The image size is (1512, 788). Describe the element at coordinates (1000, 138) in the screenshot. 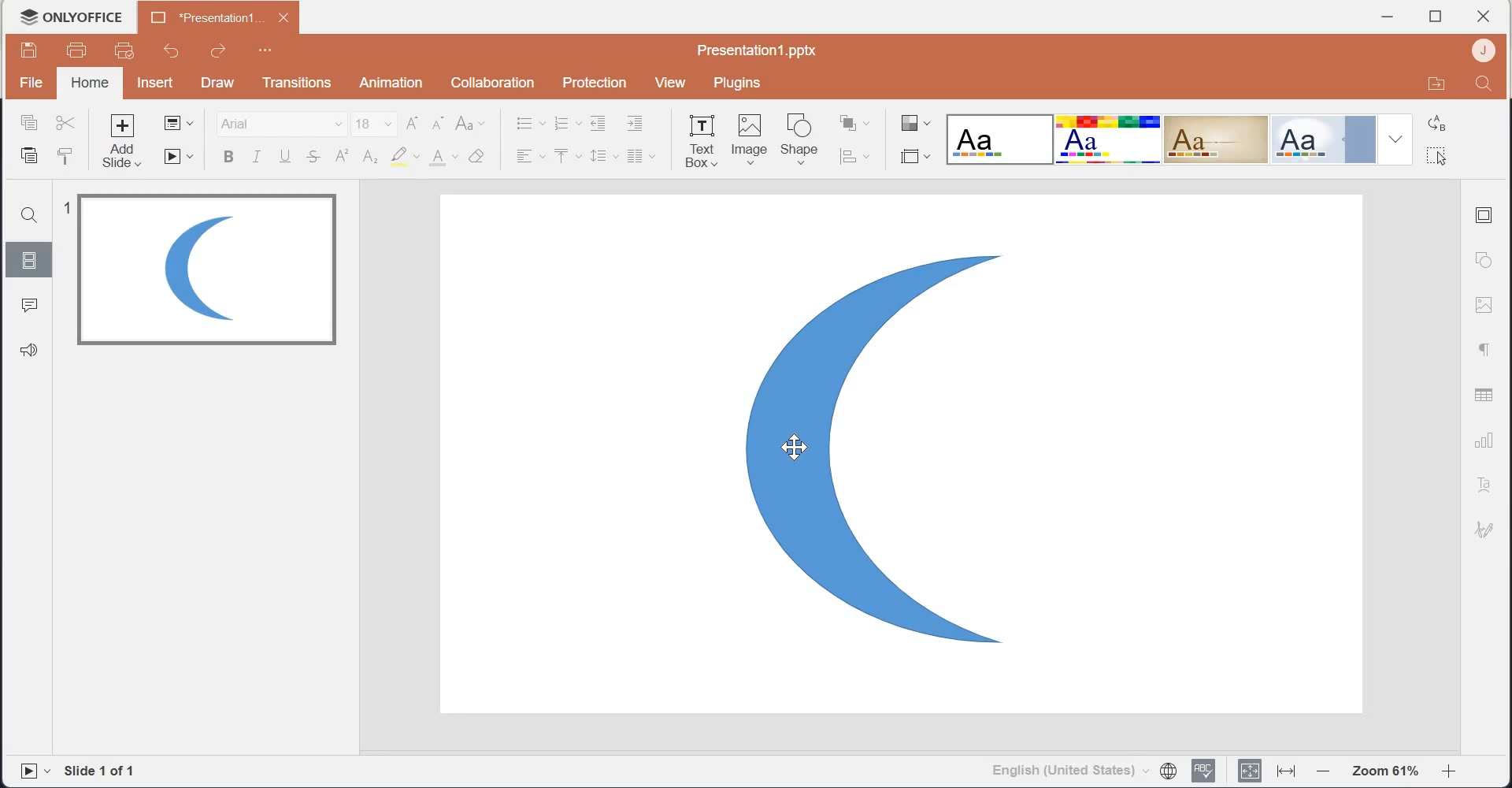

I see `Blank` at that location.